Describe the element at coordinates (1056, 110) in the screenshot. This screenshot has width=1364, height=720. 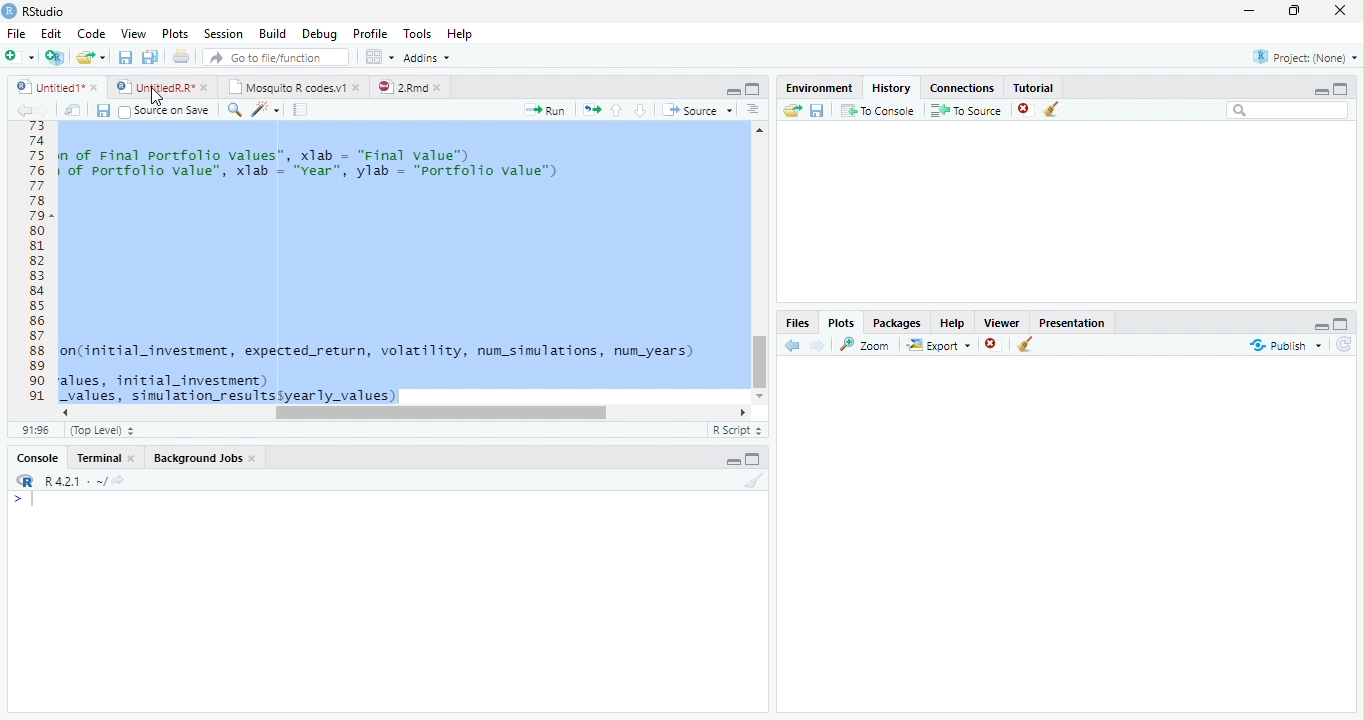
I see `Clear` at that location.